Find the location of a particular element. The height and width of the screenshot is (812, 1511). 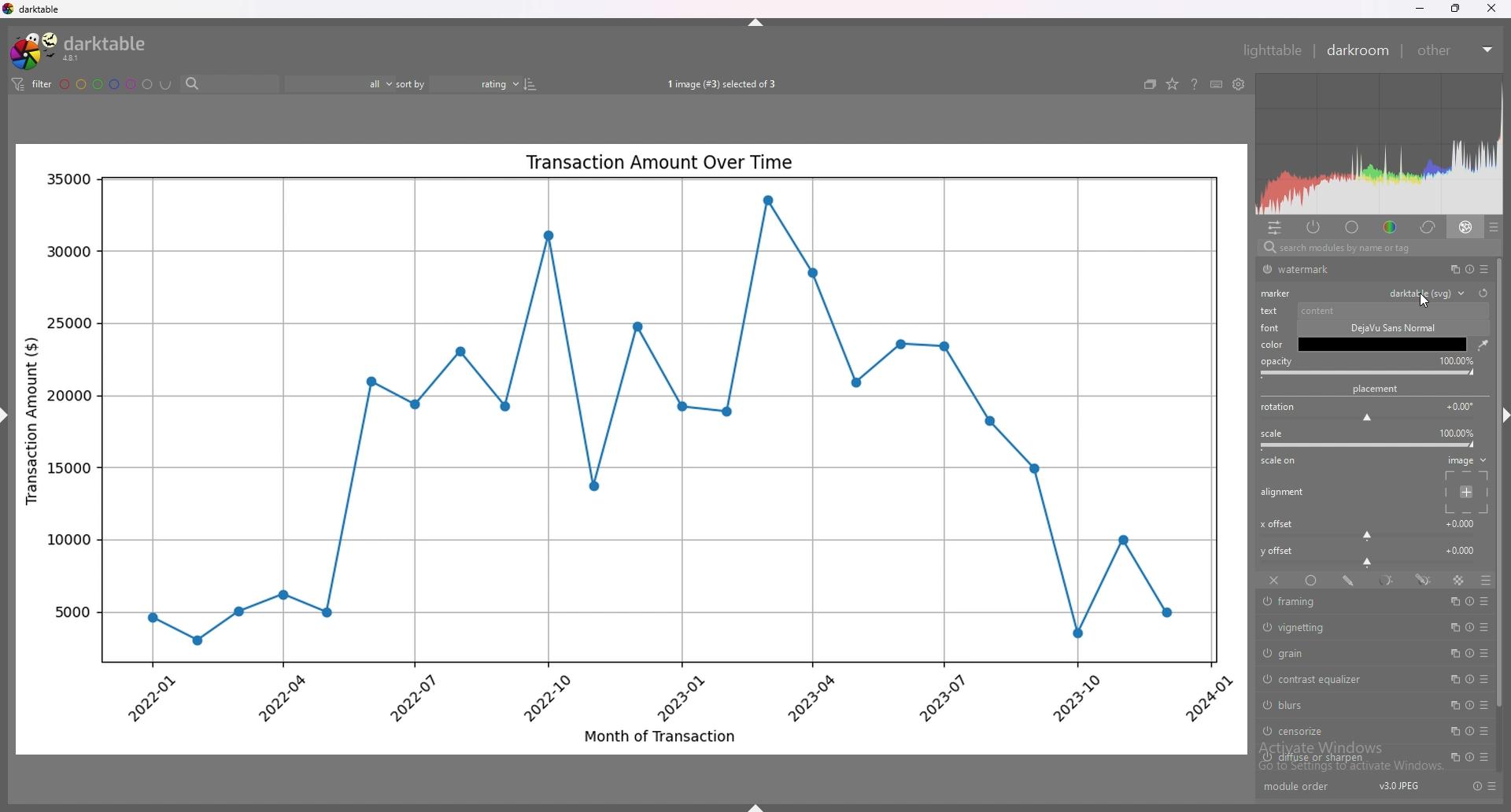

scale percentage is located at coordinates (1456, 433).